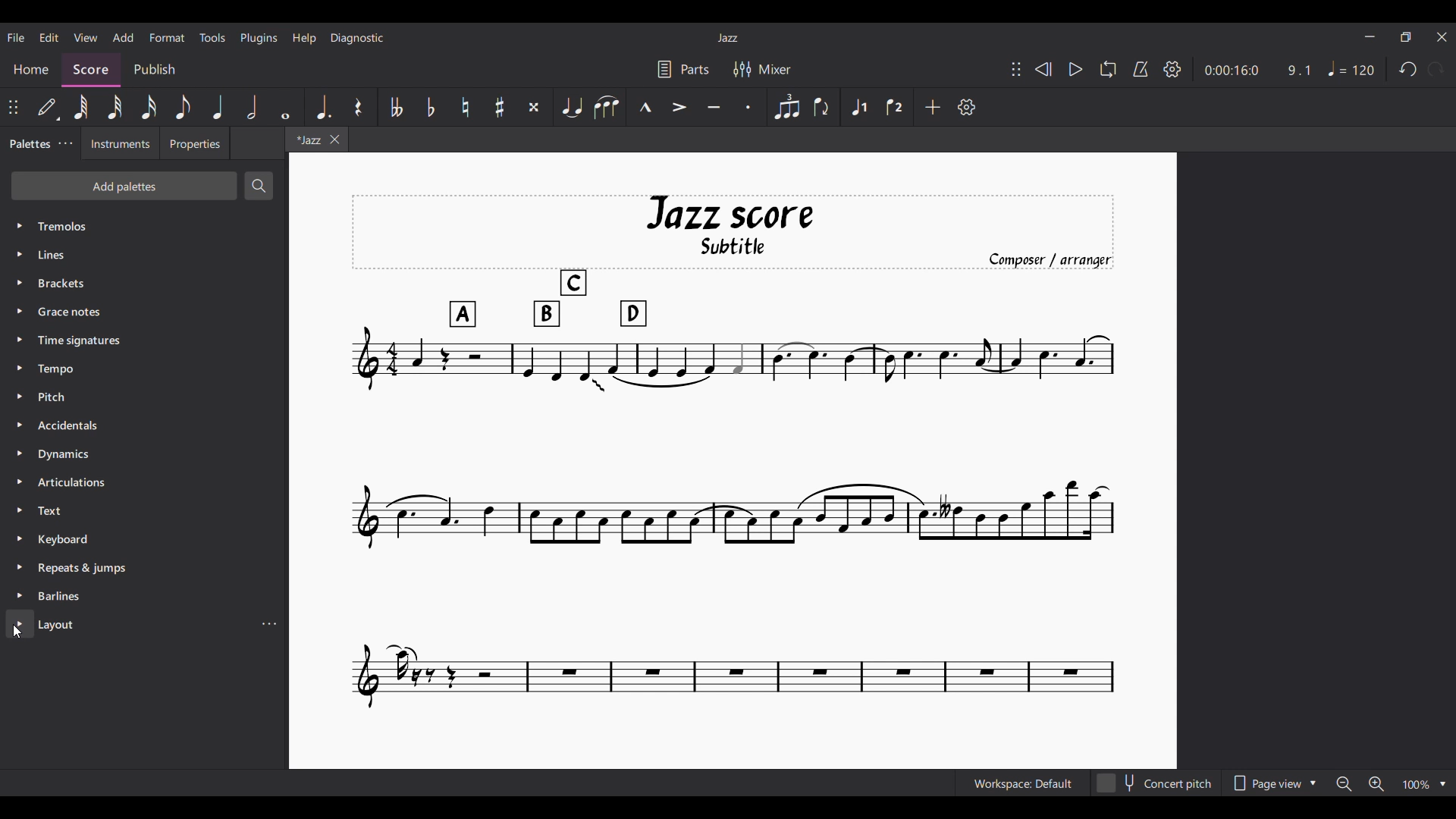 This screenshot has height=819, width=1456. Describe the element at coordinates (323, 107) in the screenshot. I see `Augmentation dot` at that location.